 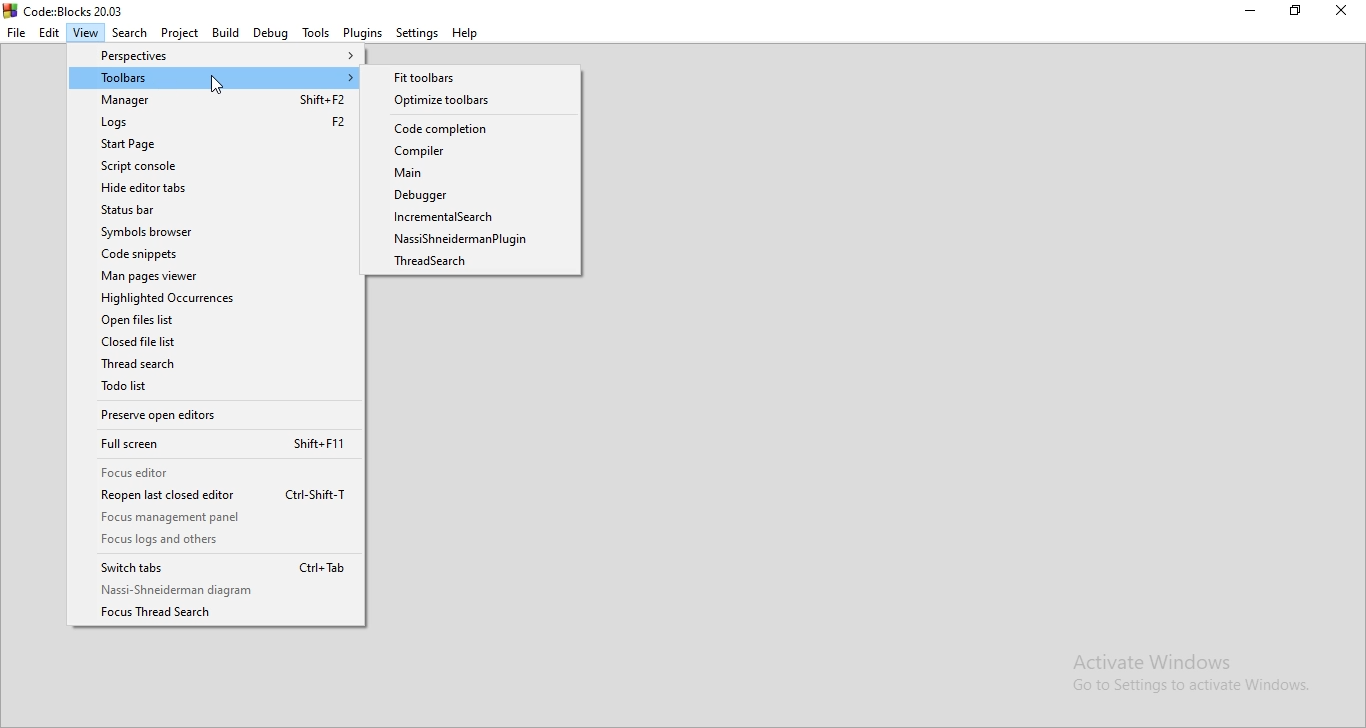 I want to click on close, so click(x=1345, y=12).